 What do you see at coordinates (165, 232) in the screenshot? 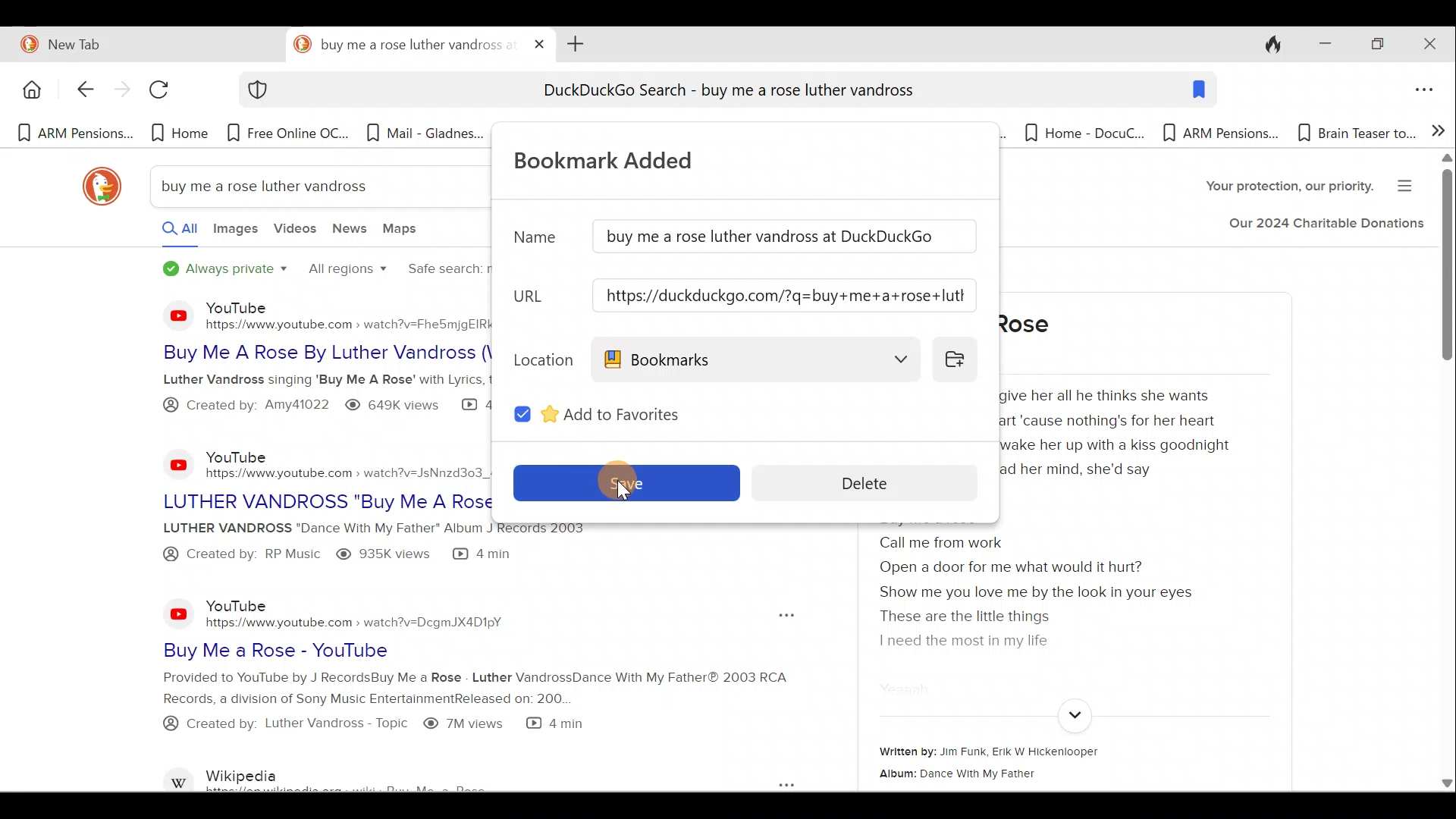
I see `All` at bounding box center [165, 232].